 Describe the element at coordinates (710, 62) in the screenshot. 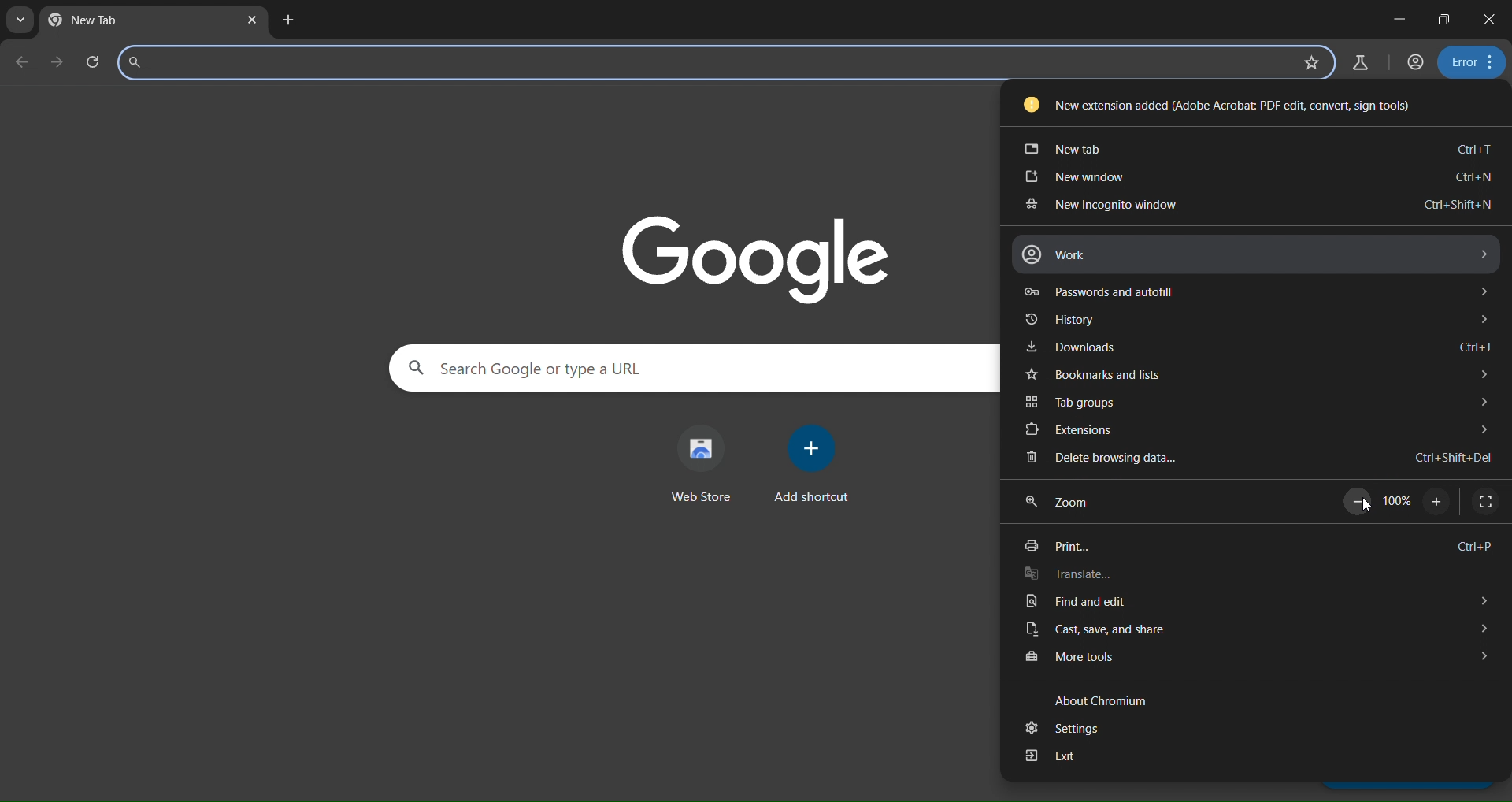

I see `search panel` at that location.